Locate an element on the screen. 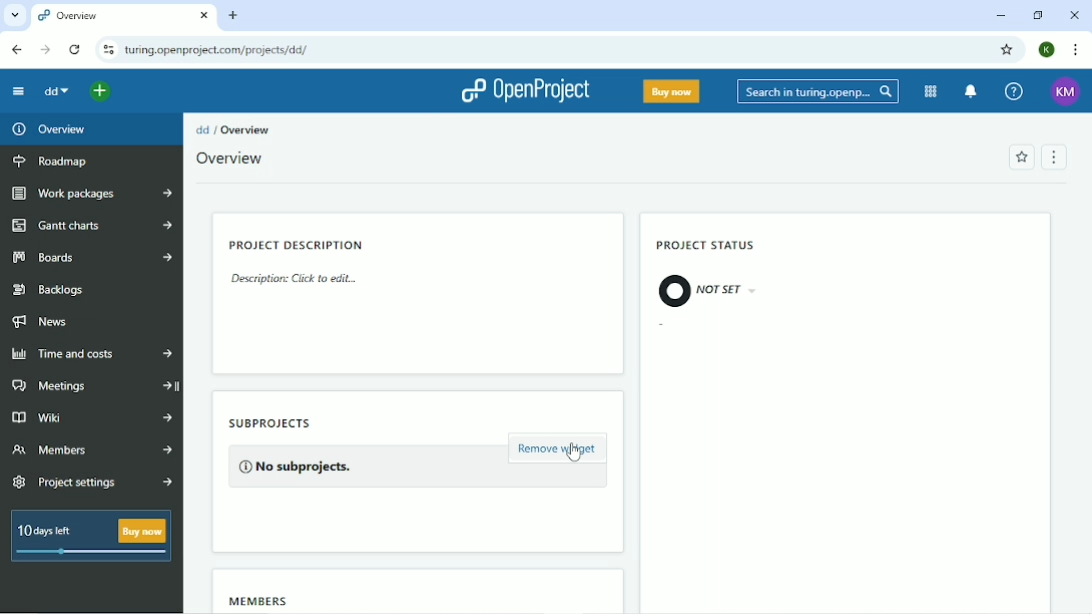 The height and width of the screenshot is (614, 1092). Members is located at coordinates (263, 600).